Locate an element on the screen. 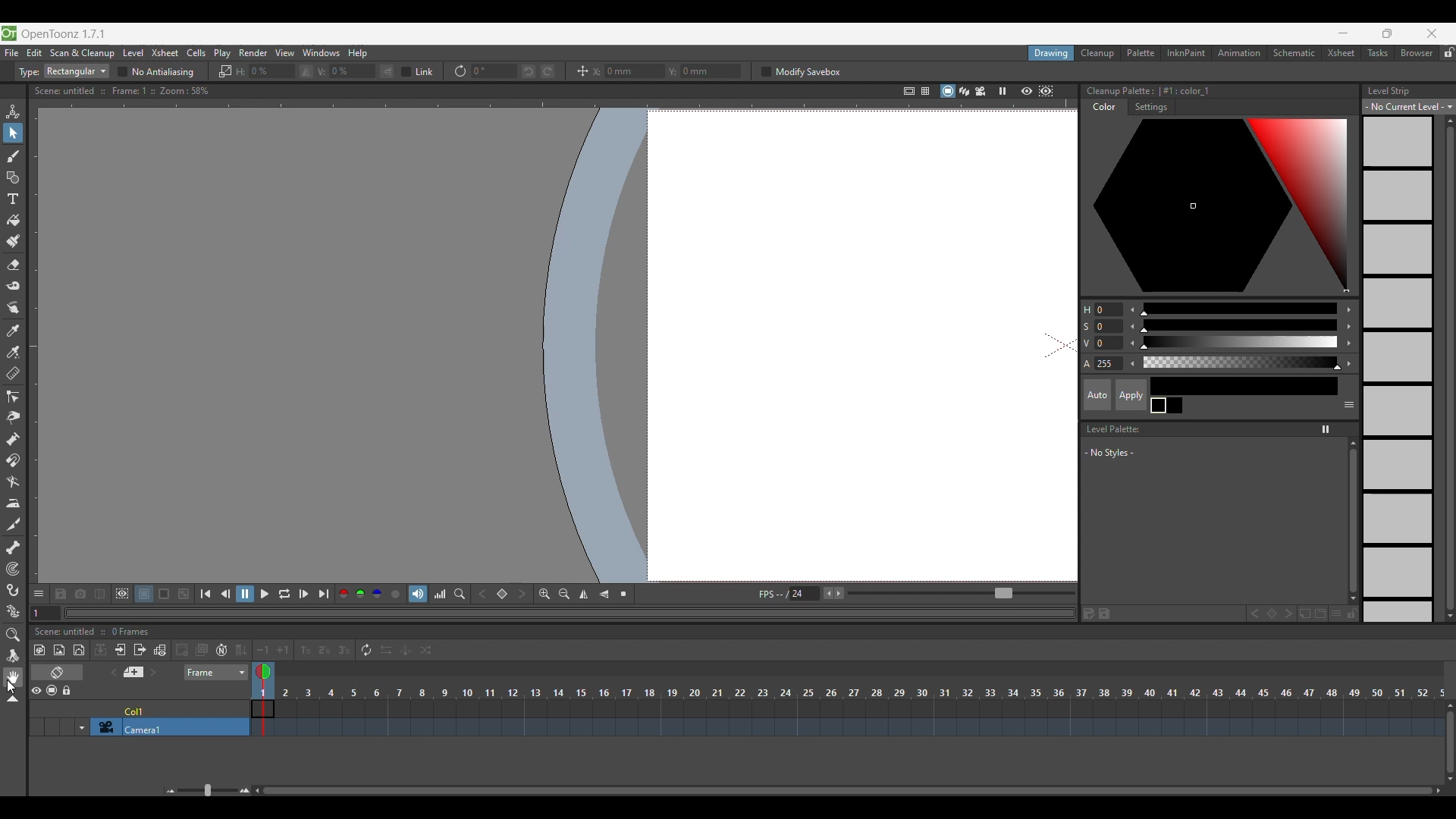 The image size is (1456, 819). Show interface in smaller tab is located at coordinates (1387, 33).